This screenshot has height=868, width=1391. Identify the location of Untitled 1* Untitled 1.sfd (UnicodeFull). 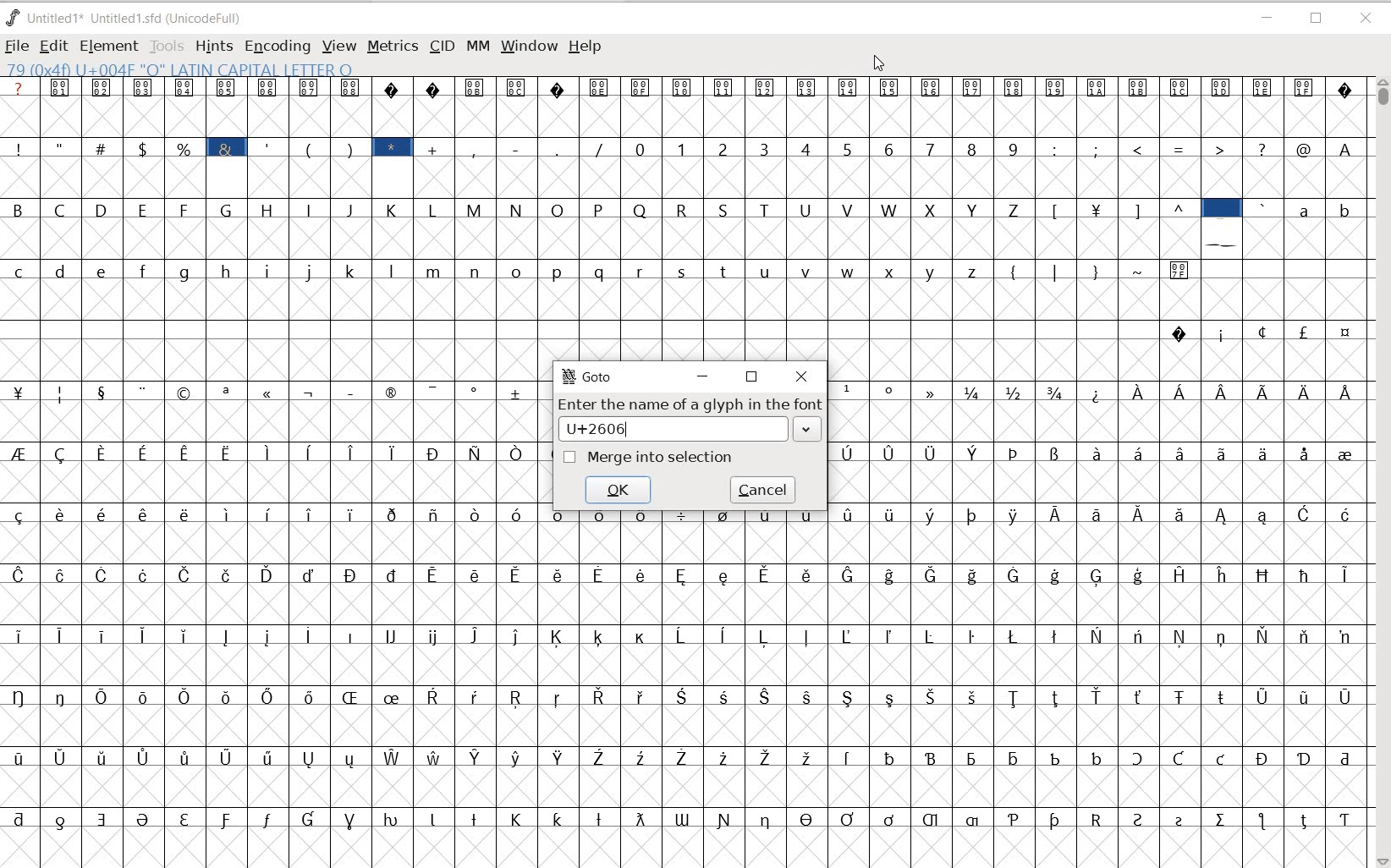
(130, 19).